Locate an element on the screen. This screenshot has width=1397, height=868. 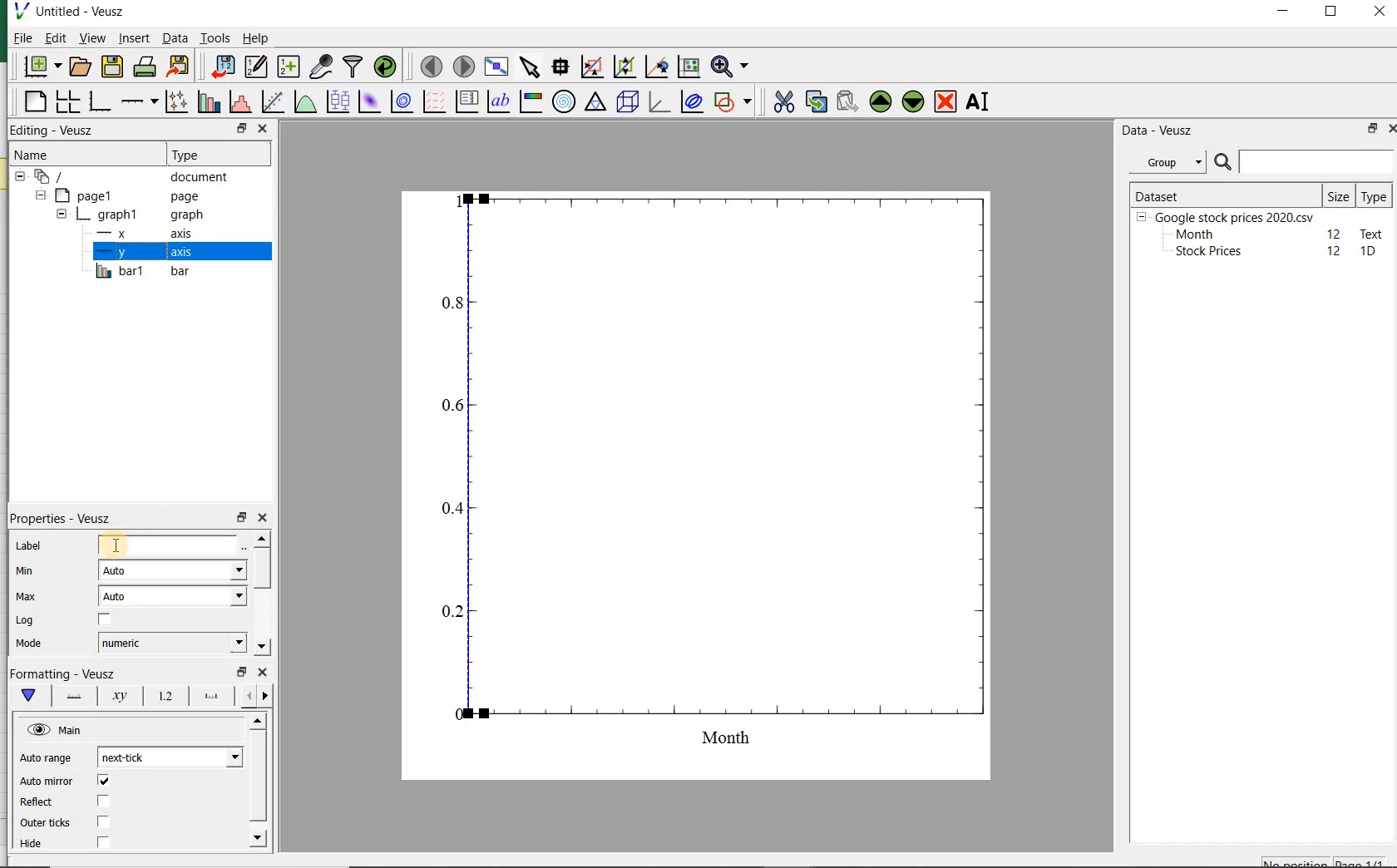
Outer ticks is located at coordinates (45, 823).